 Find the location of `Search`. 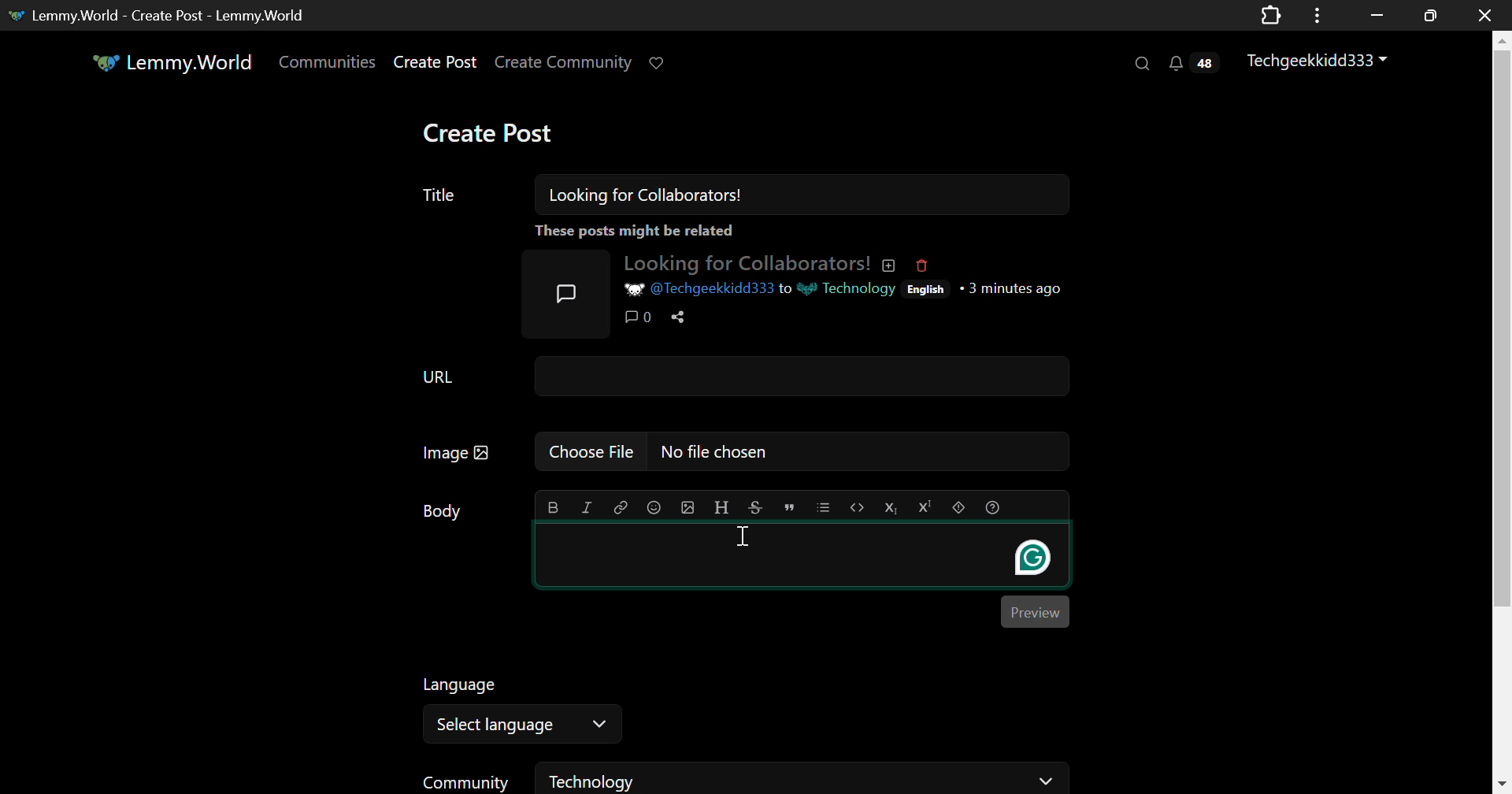

Search is located at coordinates (1144, 65).